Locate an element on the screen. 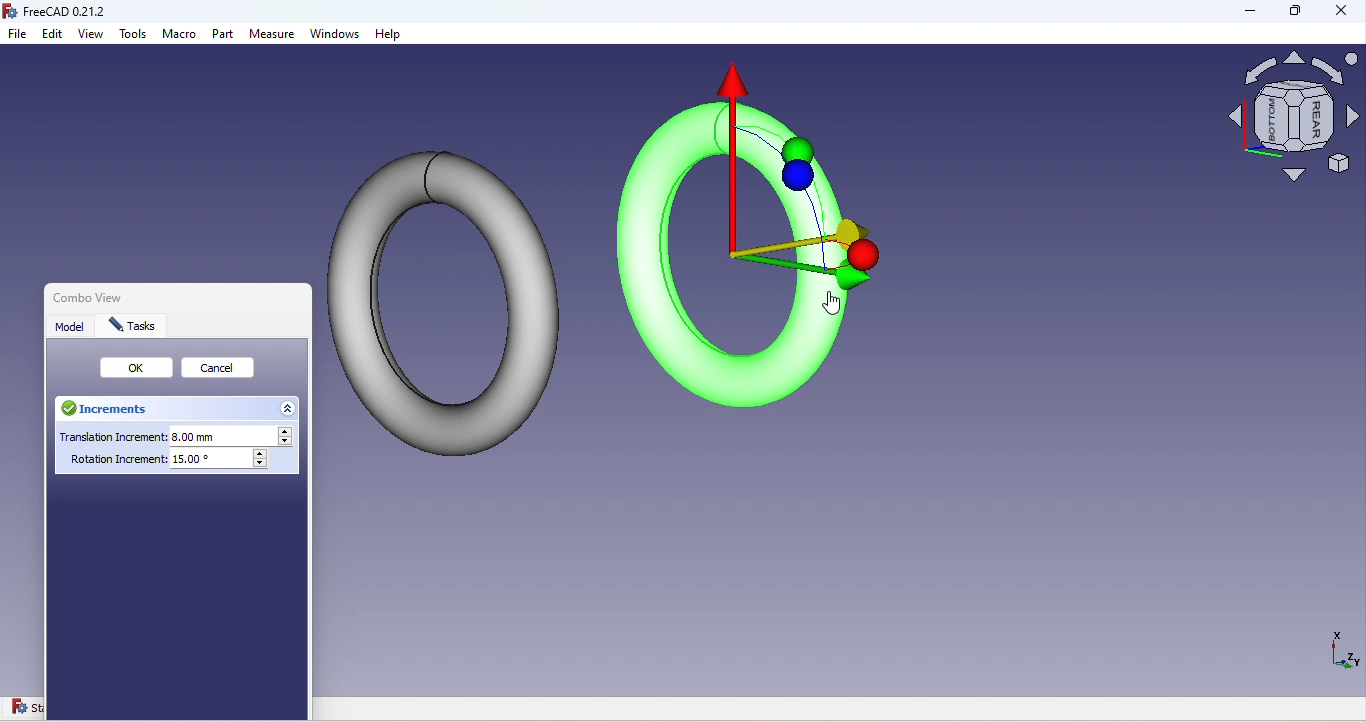 The image size is (1366, 722). Decrease translation increment is located at coordinates (288, 443).